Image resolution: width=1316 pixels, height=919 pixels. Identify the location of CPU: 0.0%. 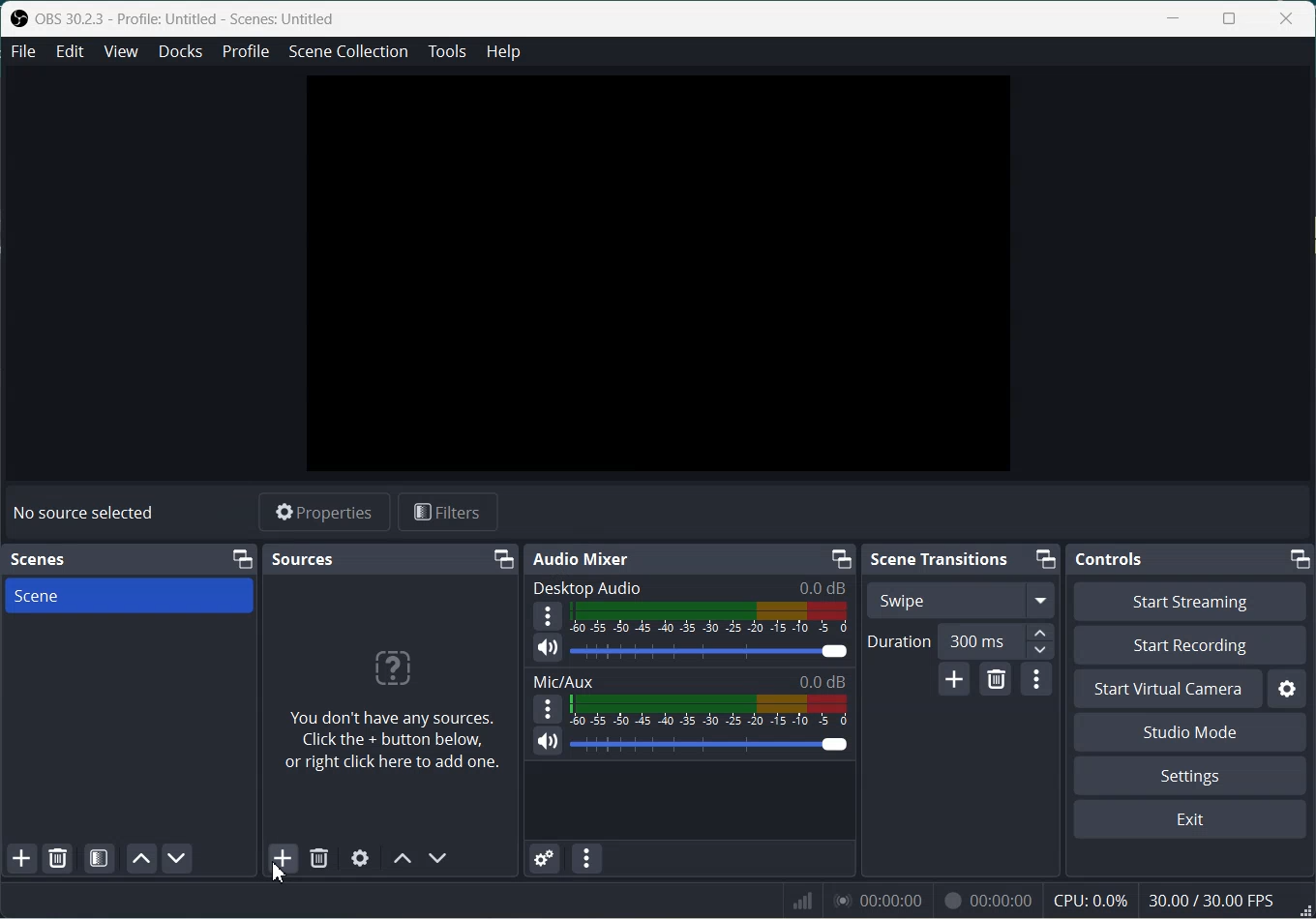
(1089, 900).